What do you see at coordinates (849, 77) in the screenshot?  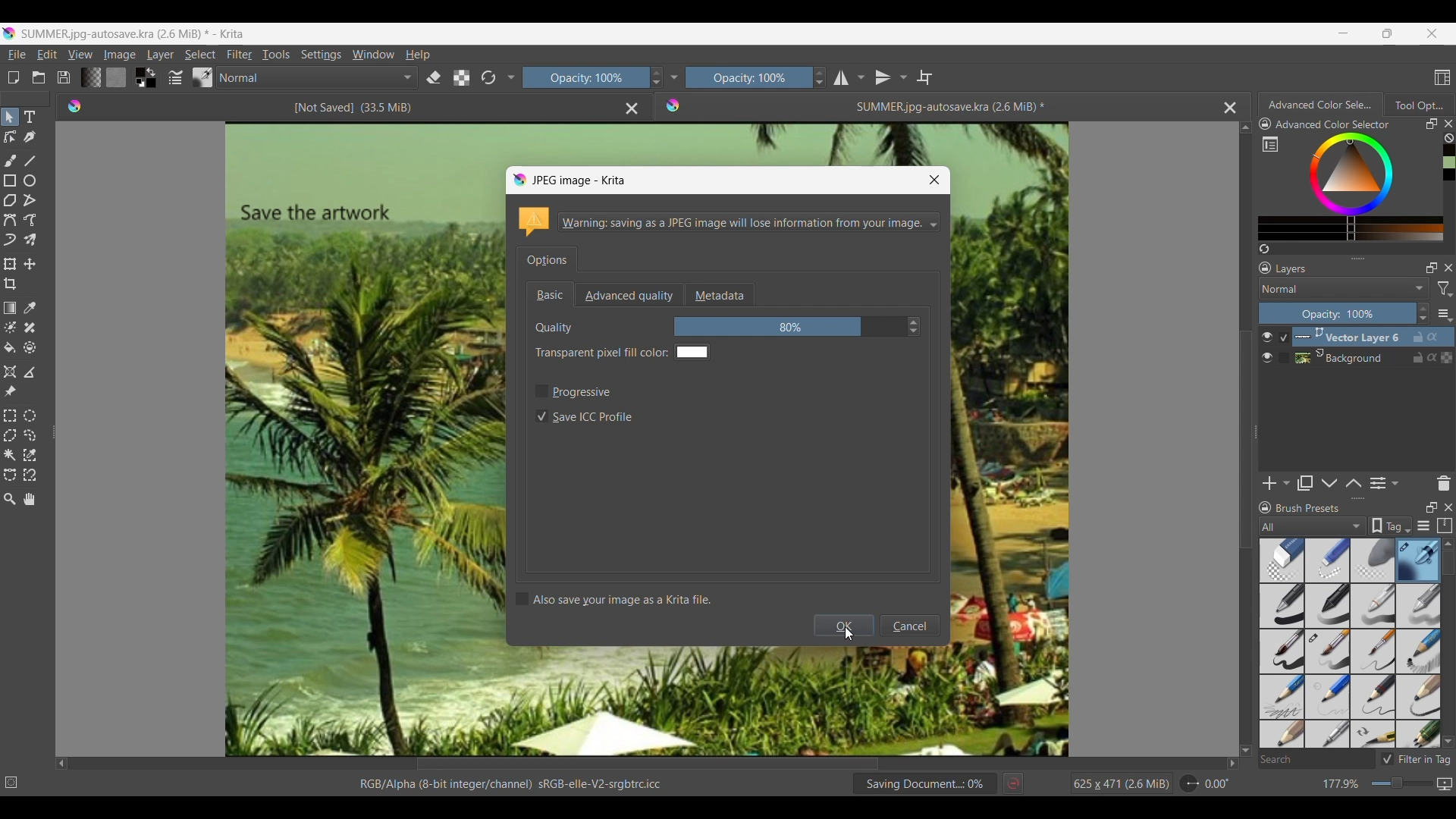 I see `Horizontal mirror tool and options` at bounding box center [849, 77].